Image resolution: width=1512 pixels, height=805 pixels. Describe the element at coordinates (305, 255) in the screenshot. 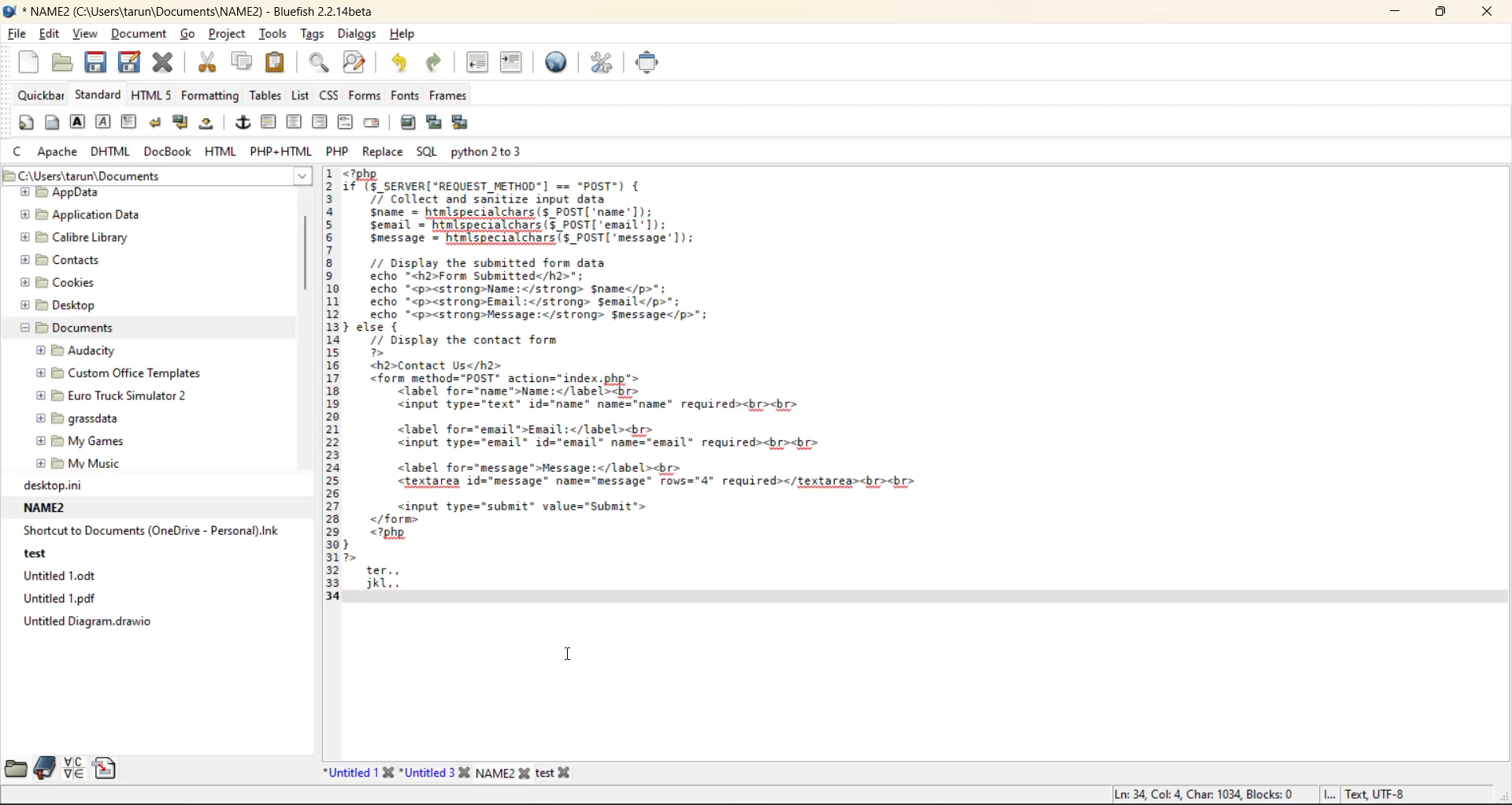

I see `vertical scroll bar` at that location.